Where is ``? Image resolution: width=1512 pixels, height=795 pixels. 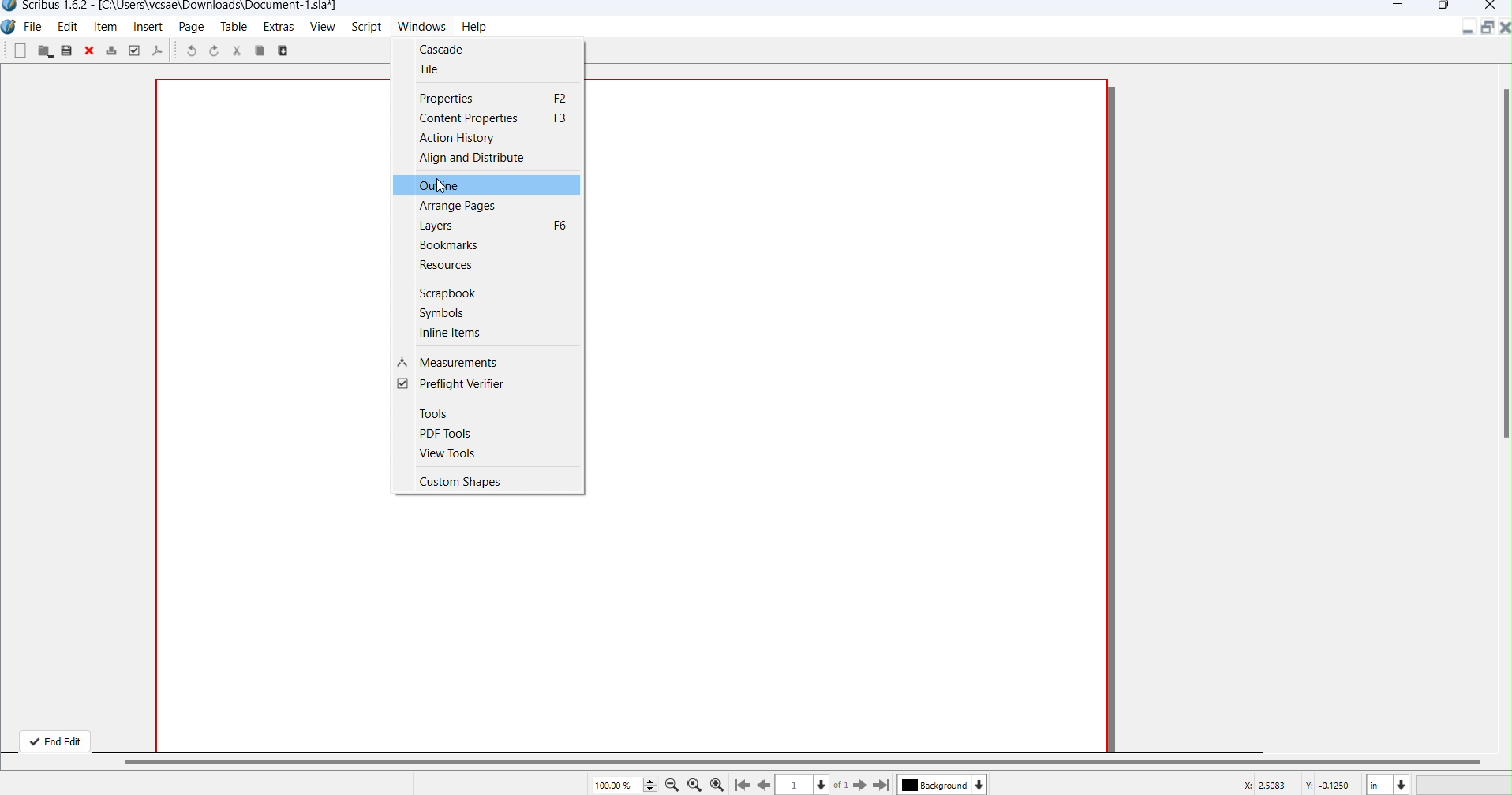  is located at coordinates (323, 28).